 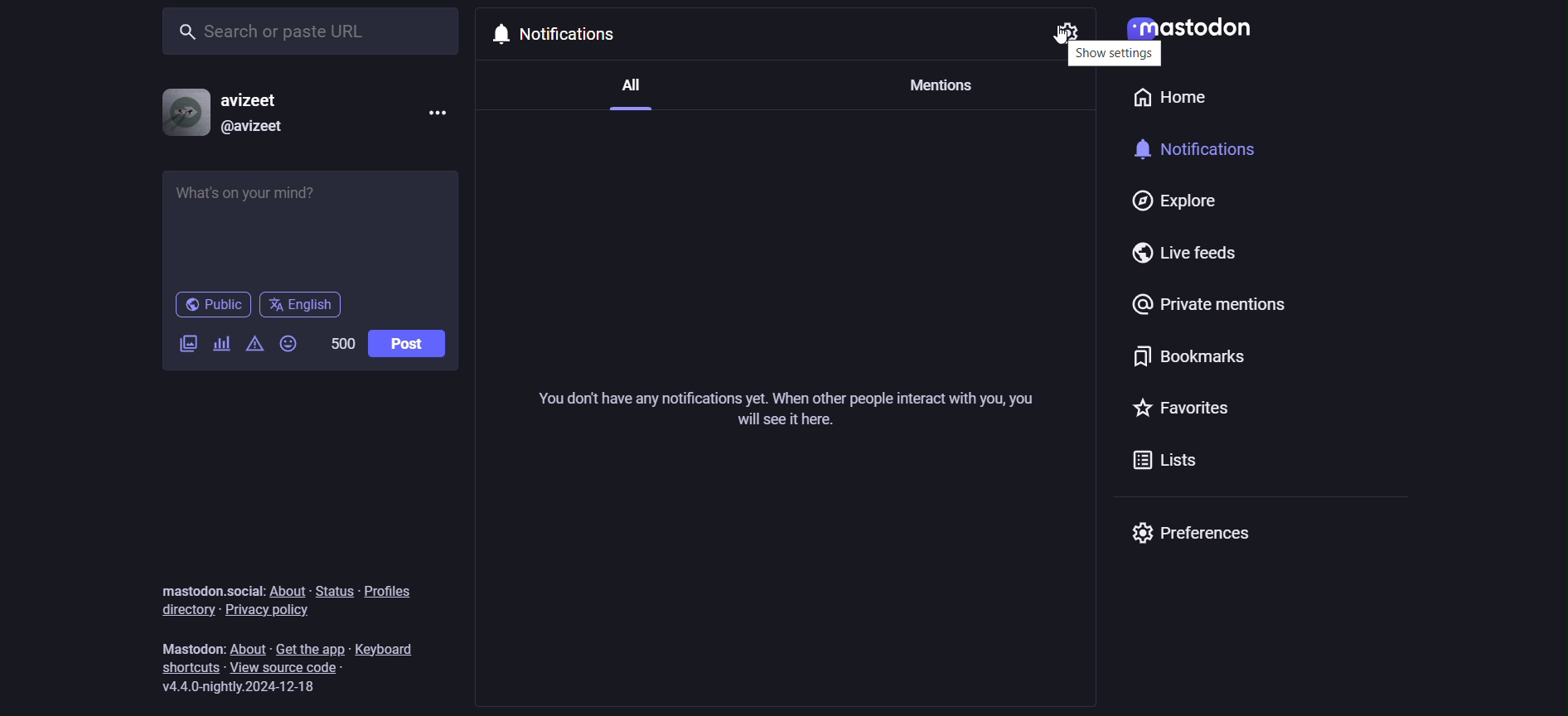 What do you see at coordinates (255, 350) in the screenshot?
I see `content warning` at bounding box center [255, 350].